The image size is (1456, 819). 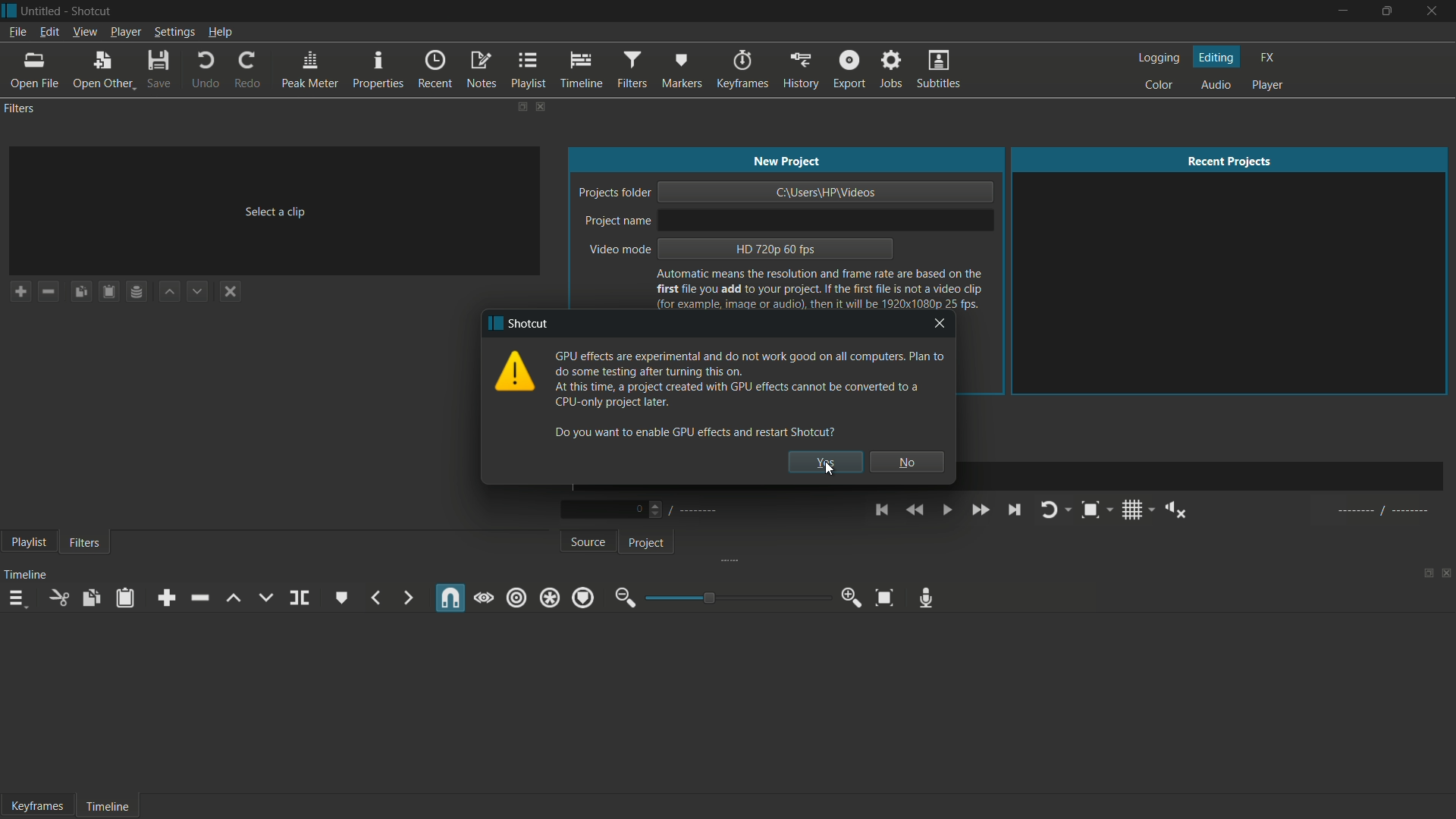 I want to click on change layout, so click(x=516, y=105).